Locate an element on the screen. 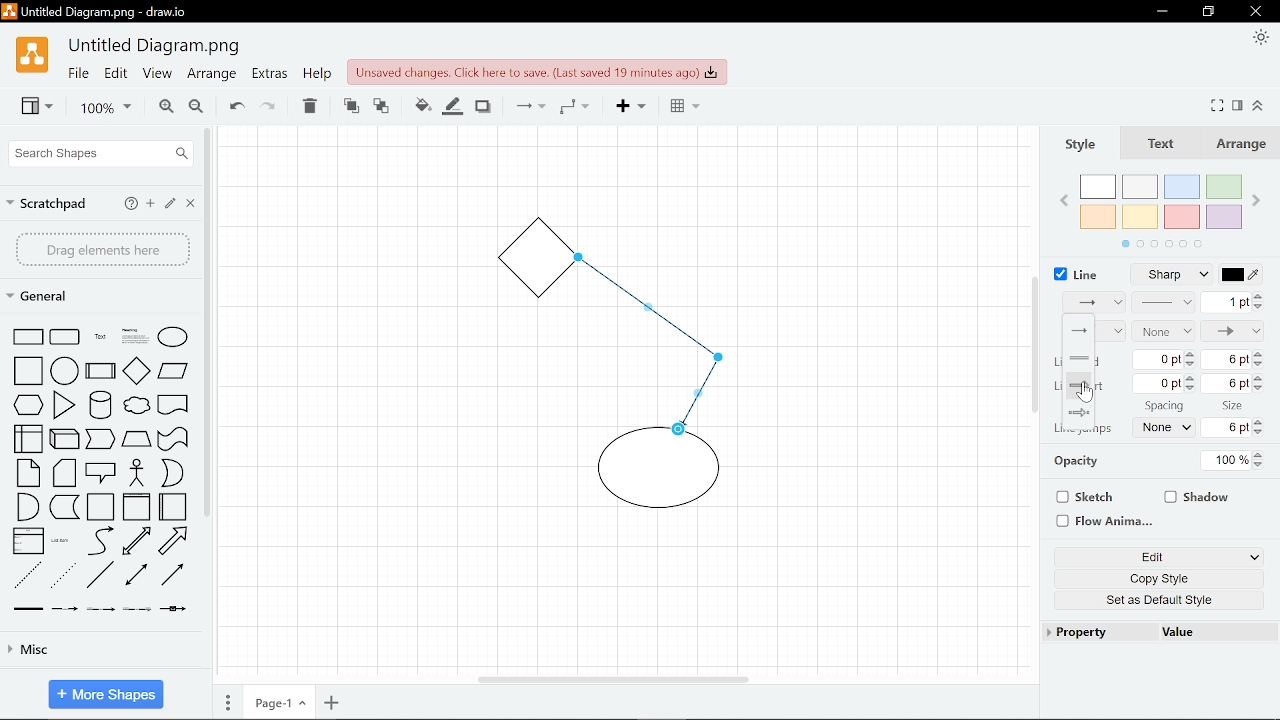 This screenshot has height=720, width=1280. shape is located at coordinates (100, 337).